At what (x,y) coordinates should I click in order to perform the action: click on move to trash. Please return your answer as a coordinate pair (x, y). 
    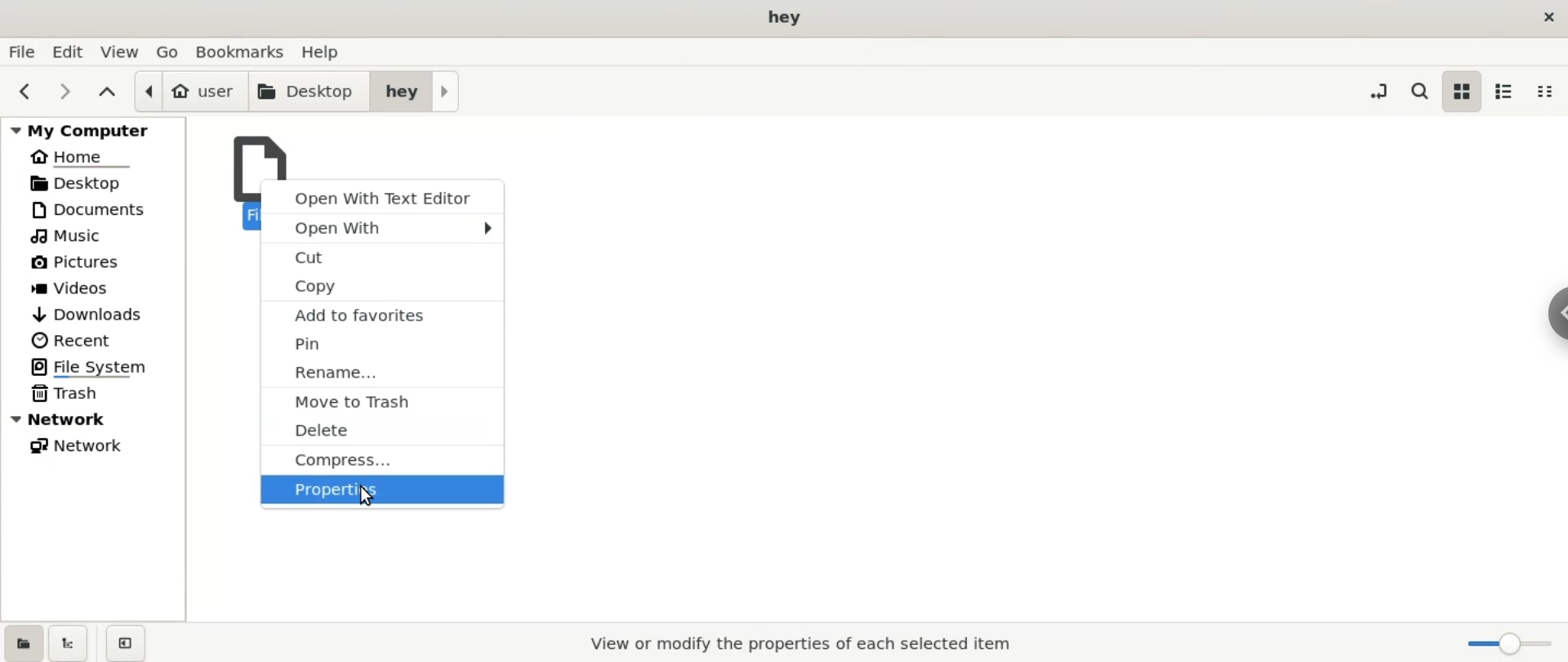
    Looking at the image, I should click on (383, 401).